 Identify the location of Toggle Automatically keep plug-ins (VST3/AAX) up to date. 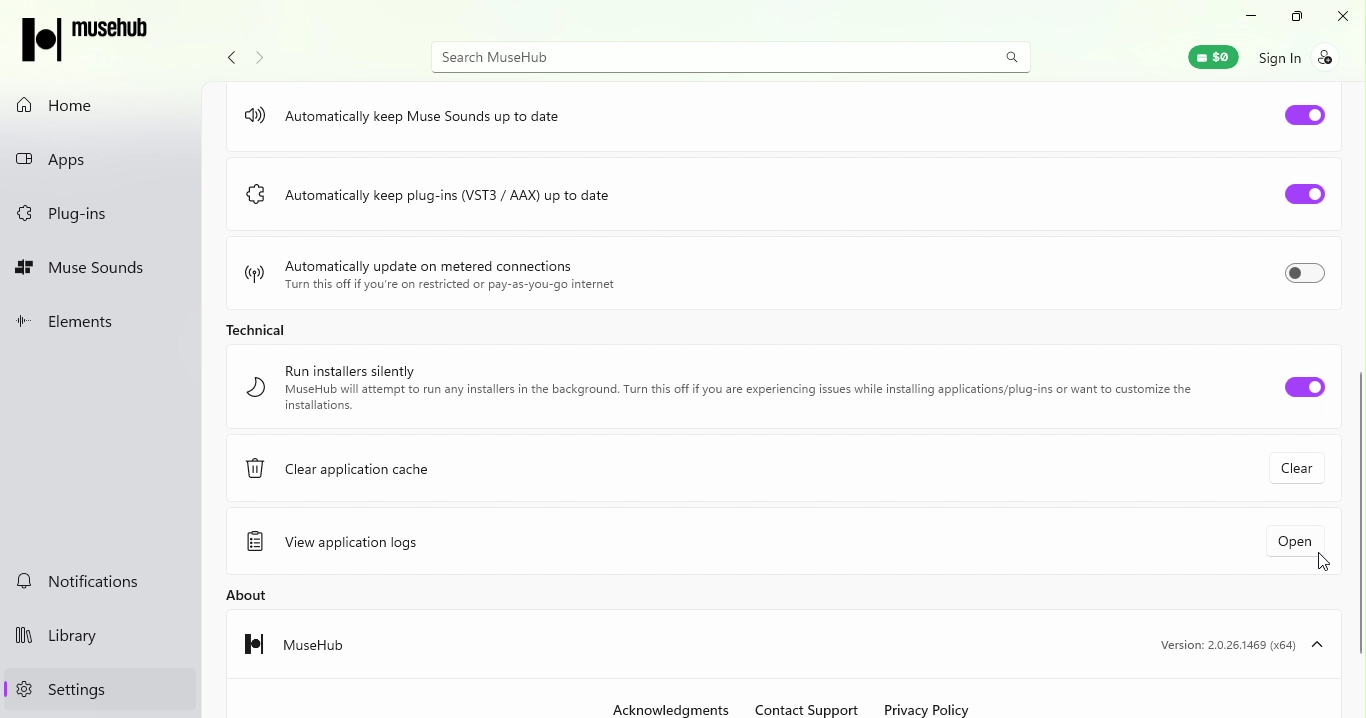
(1295, 190).